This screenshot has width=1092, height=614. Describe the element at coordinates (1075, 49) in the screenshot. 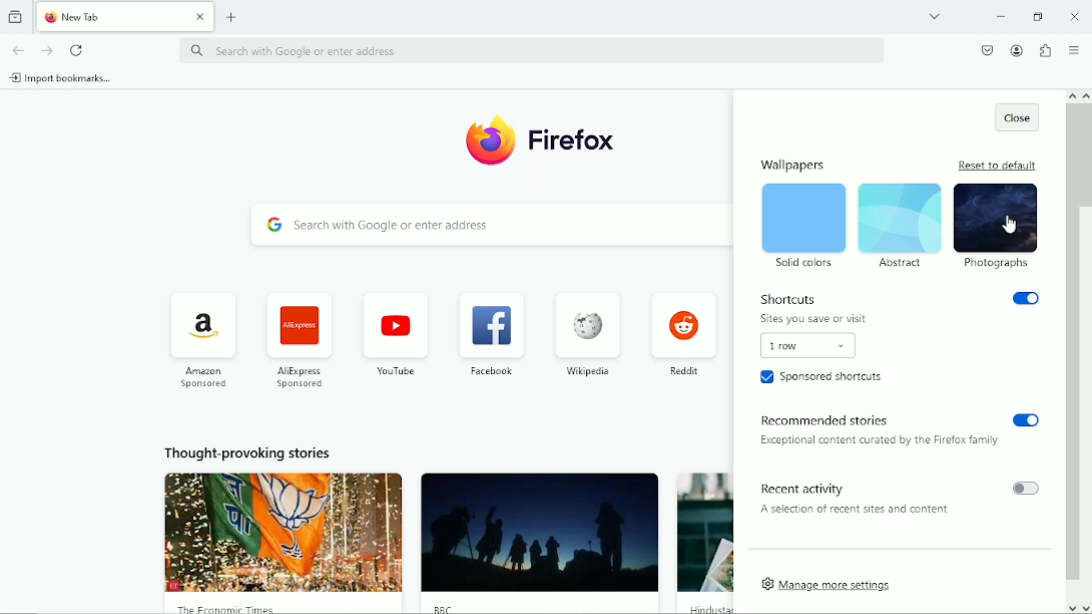

I see `Open application menu` at that location.